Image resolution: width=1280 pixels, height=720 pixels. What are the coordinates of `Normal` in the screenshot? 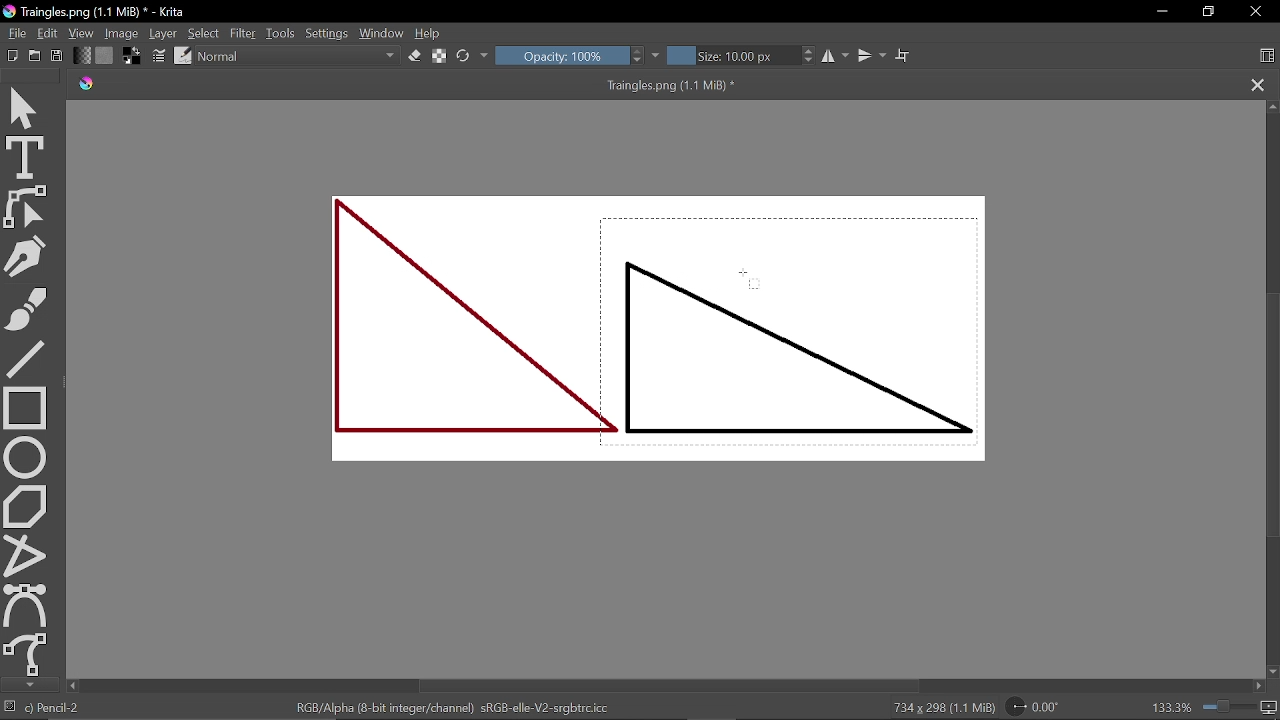 It's located at (298, 57).